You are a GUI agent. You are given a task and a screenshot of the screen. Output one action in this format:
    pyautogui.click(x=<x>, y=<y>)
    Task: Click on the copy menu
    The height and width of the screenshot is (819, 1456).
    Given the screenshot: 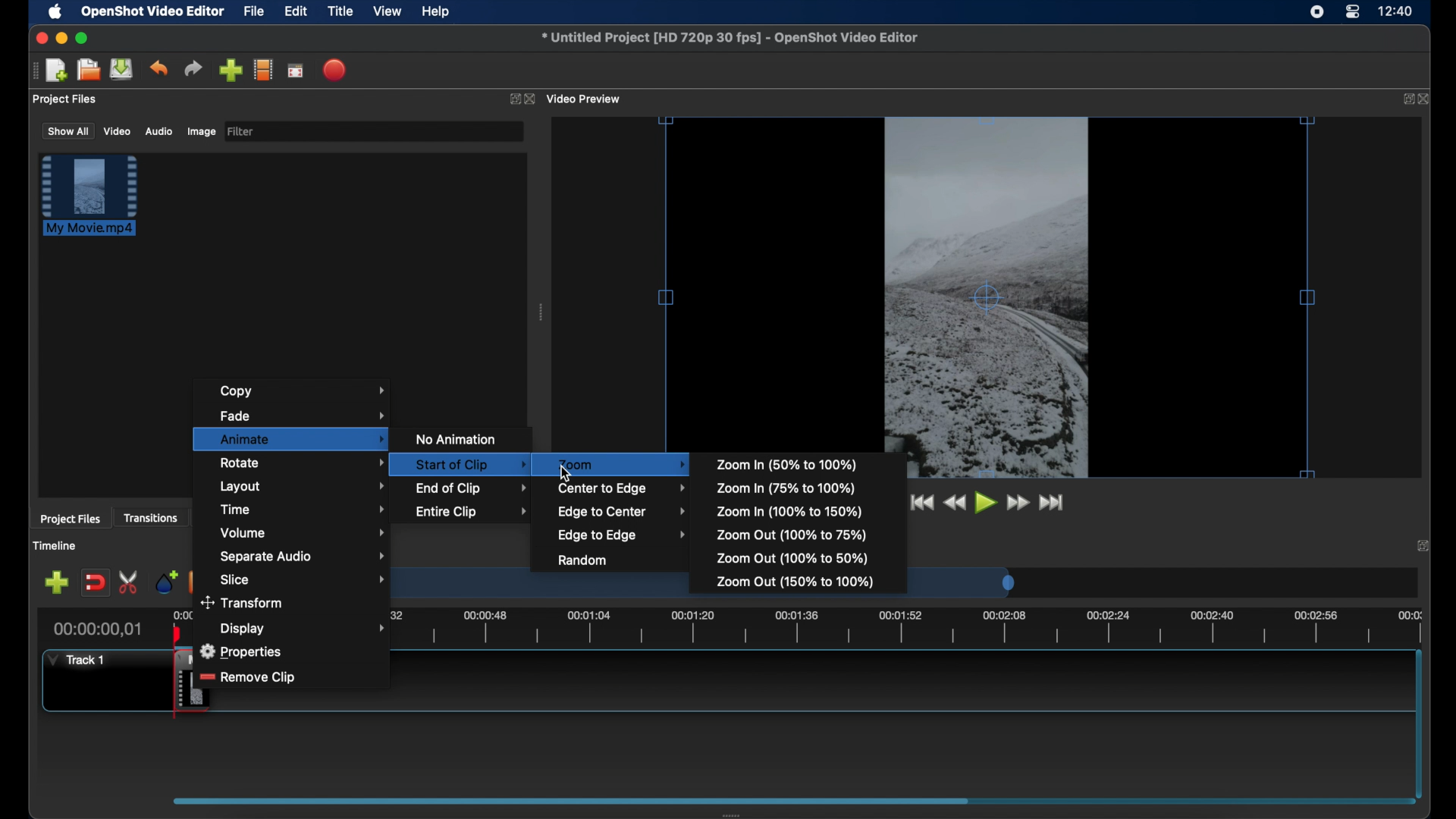 What is the action you would take?
    pyautogui.click(x=307, y=391)
    